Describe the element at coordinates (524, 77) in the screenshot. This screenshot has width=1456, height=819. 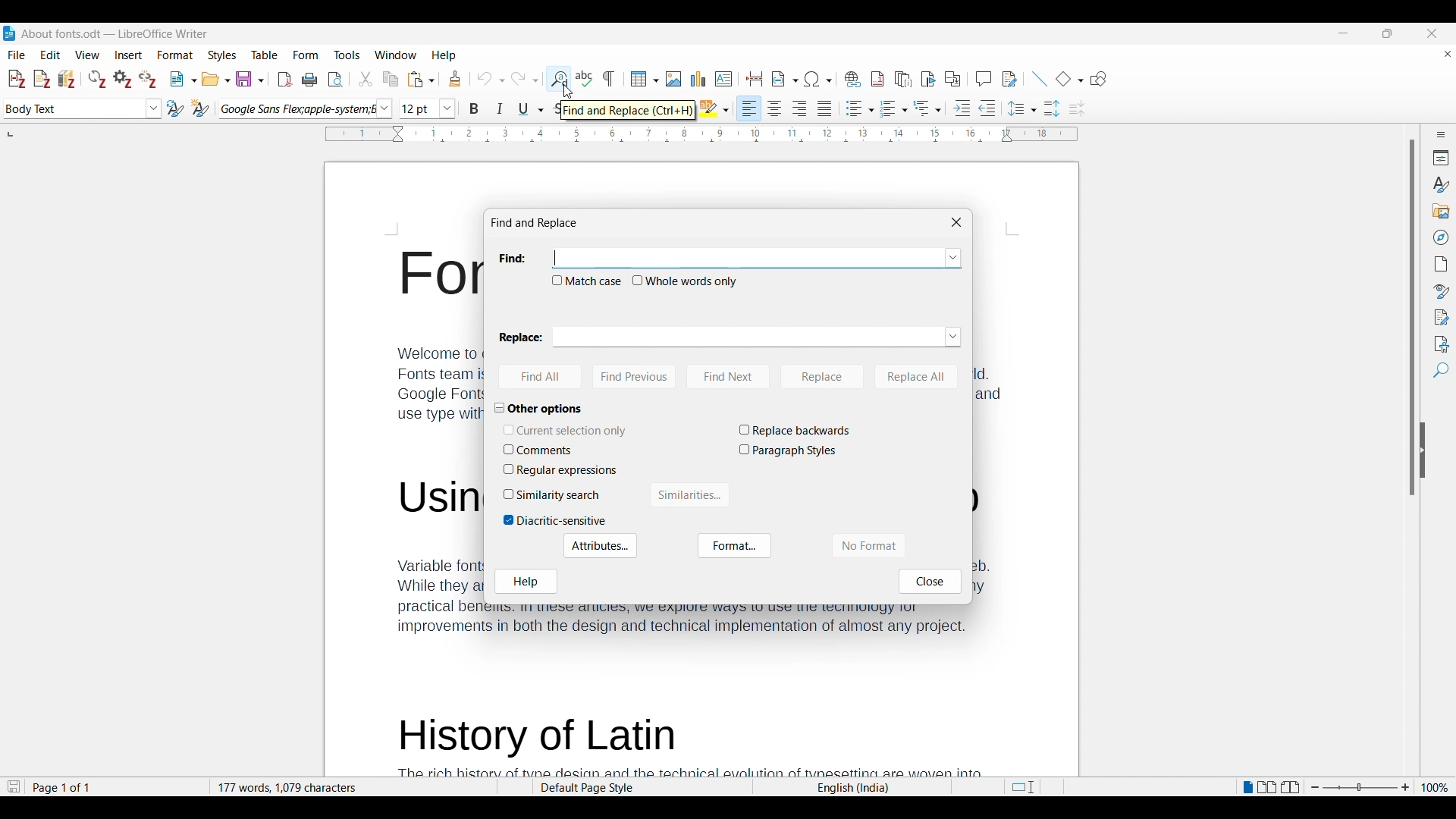
I see `Redo` at that location.